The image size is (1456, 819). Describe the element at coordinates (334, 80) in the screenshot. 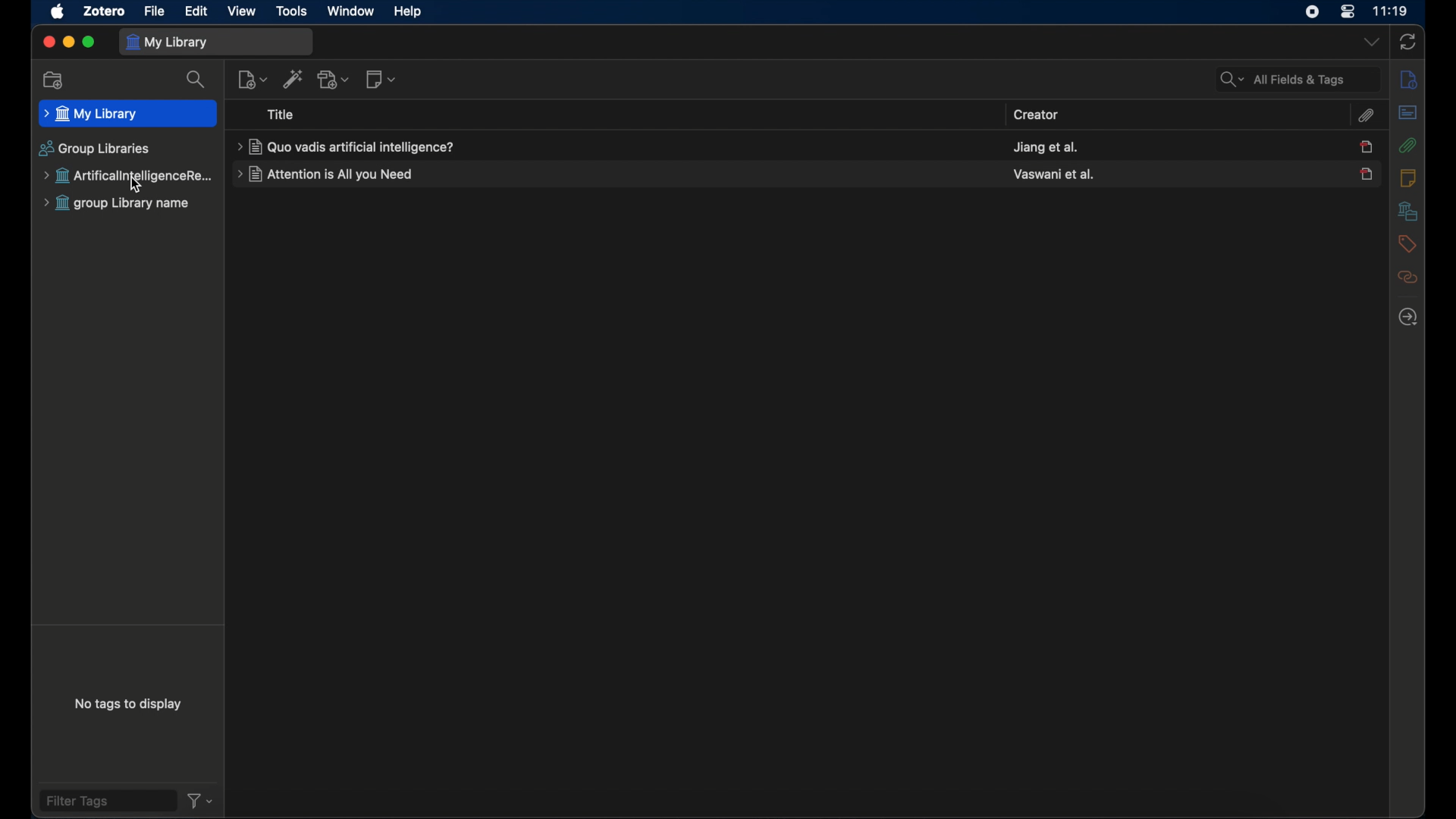

I see `add attachment` at that location.